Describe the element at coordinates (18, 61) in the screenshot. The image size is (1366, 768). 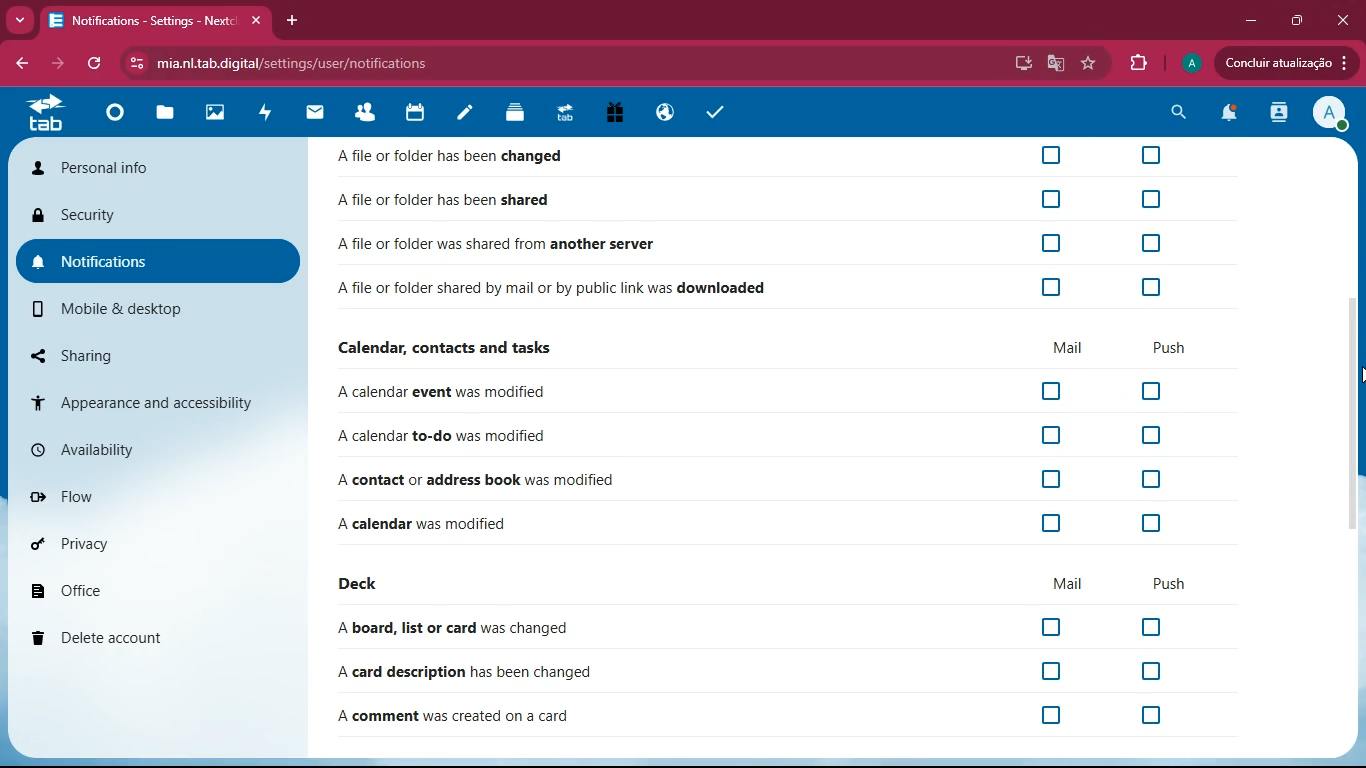
I see `back` at that location.